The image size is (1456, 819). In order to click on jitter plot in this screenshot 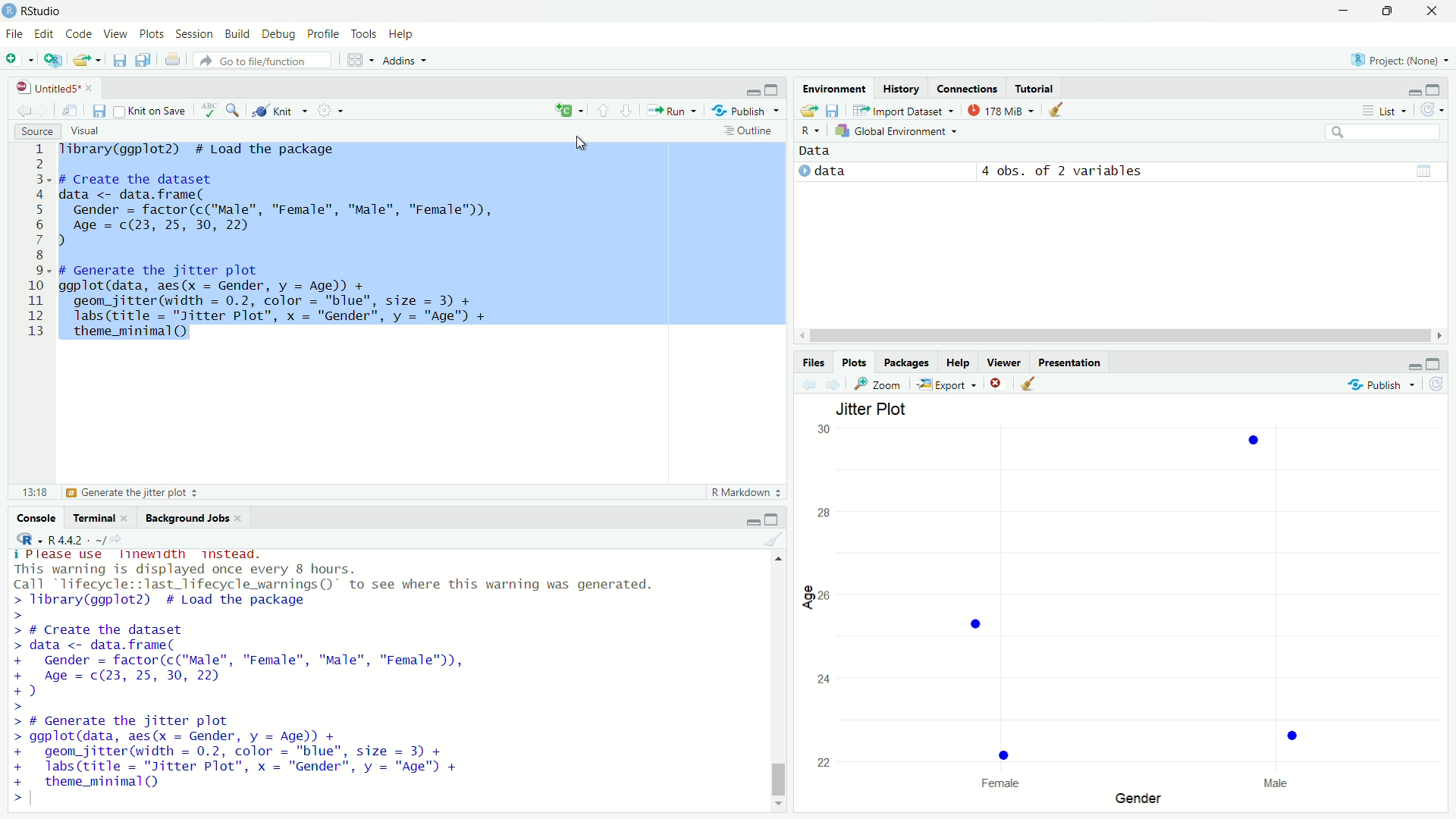, I will do `click(871, 408)`.